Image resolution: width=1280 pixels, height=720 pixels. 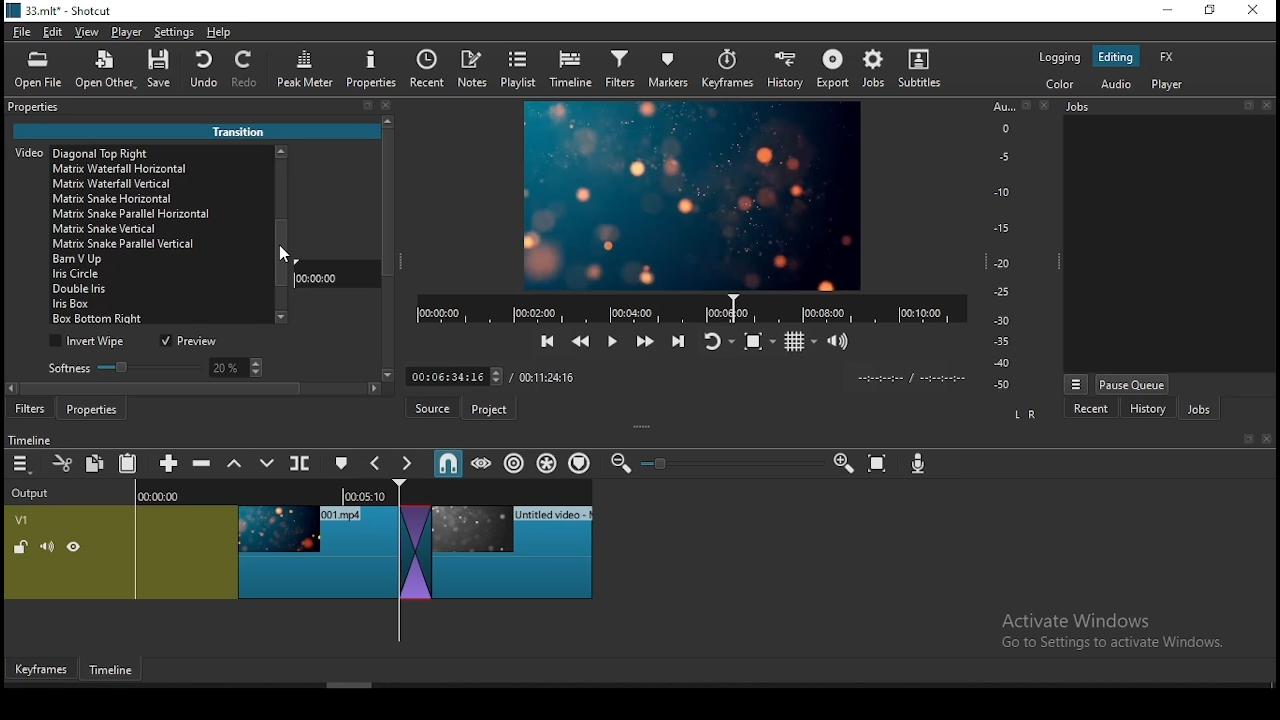 What do you see at coordinates (670, 72) in the screenshot?
I see `markers` at bounding box center [670, 72].